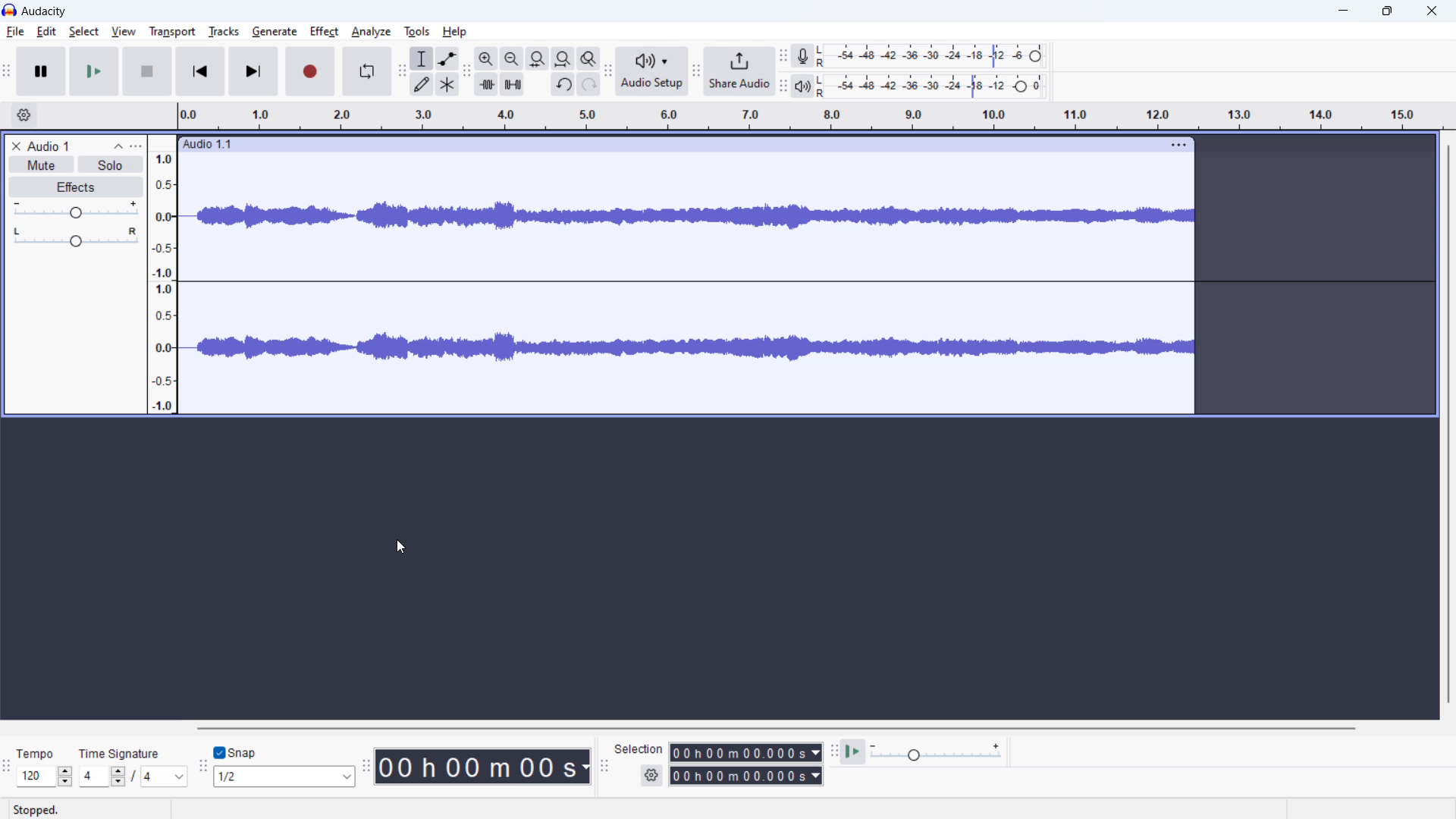 This screenshot has height=819, width=1456. What do you see at coordinates (745, 775) in the screenshot?
I see `end time` at bounding box center [745, 775].